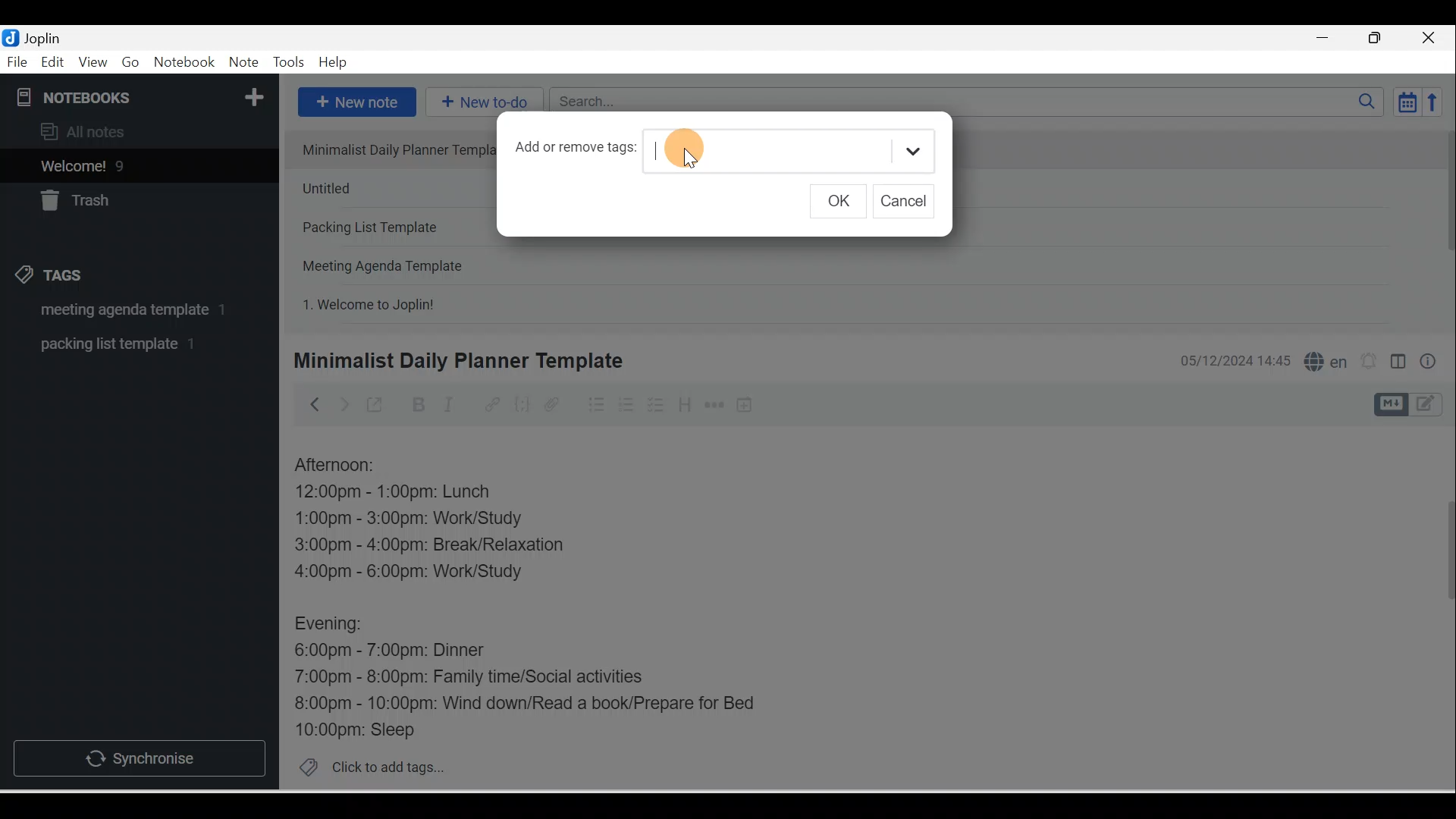 The image size is (1456, 819). Describe the element at coordinates (1439, 608) in the screenshot. I see `Scroll bar` at that location.